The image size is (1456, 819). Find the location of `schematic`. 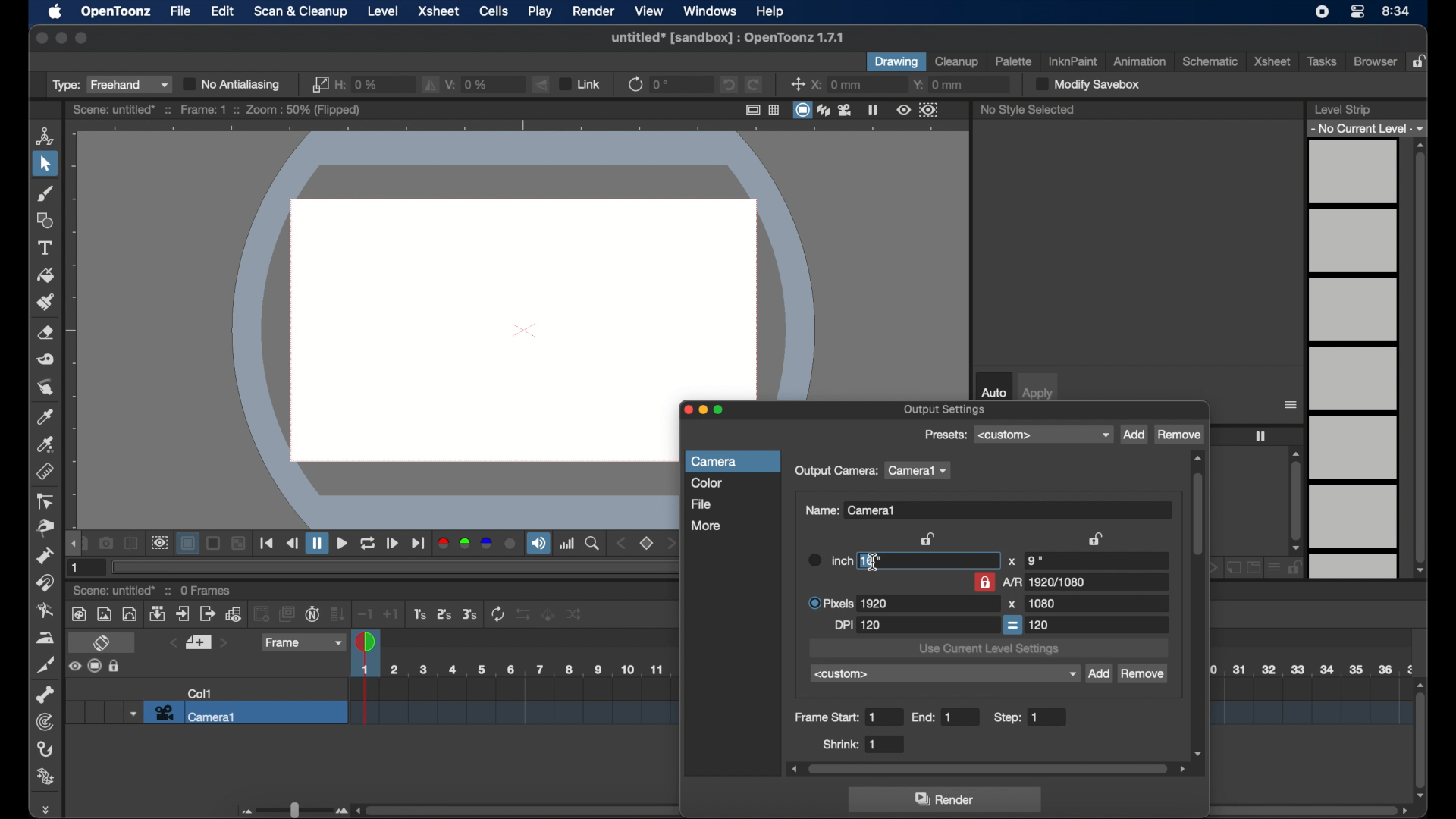

schematic is located at coordinates (1211, 61).